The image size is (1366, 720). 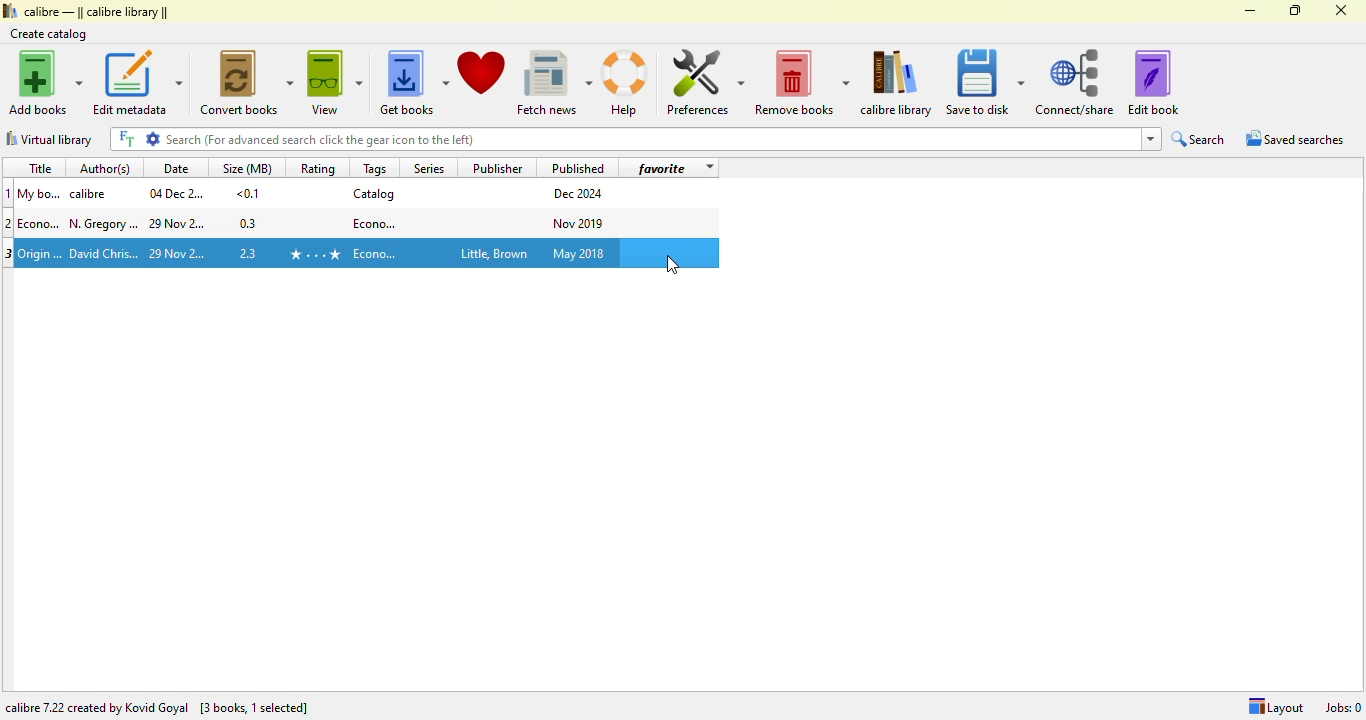 I want to click on search, so click(x=650, y=139).